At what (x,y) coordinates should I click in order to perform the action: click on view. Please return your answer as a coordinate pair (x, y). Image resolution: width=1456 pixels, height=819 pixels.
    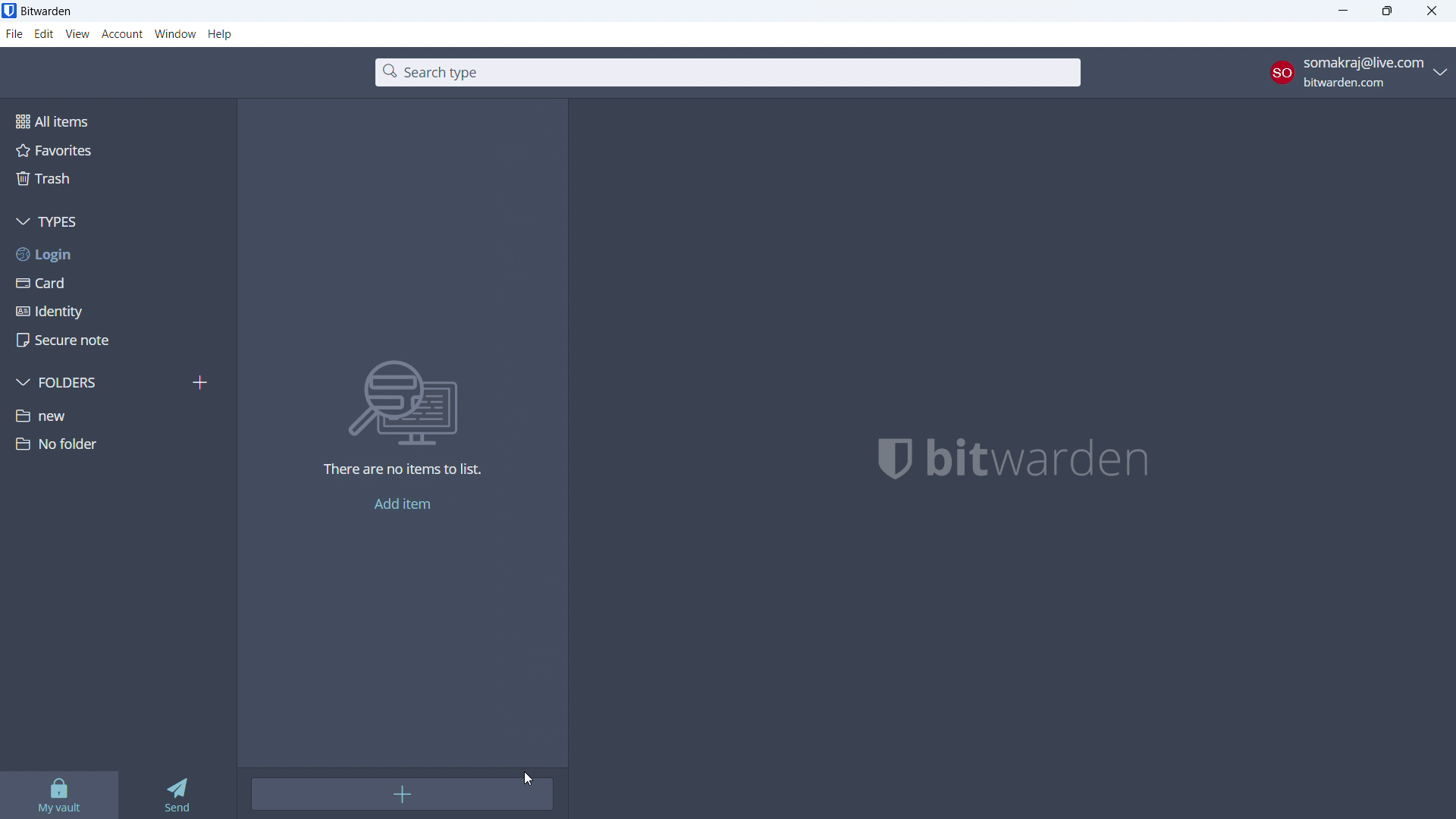
    Looking at the image, I should click on (77, 34).